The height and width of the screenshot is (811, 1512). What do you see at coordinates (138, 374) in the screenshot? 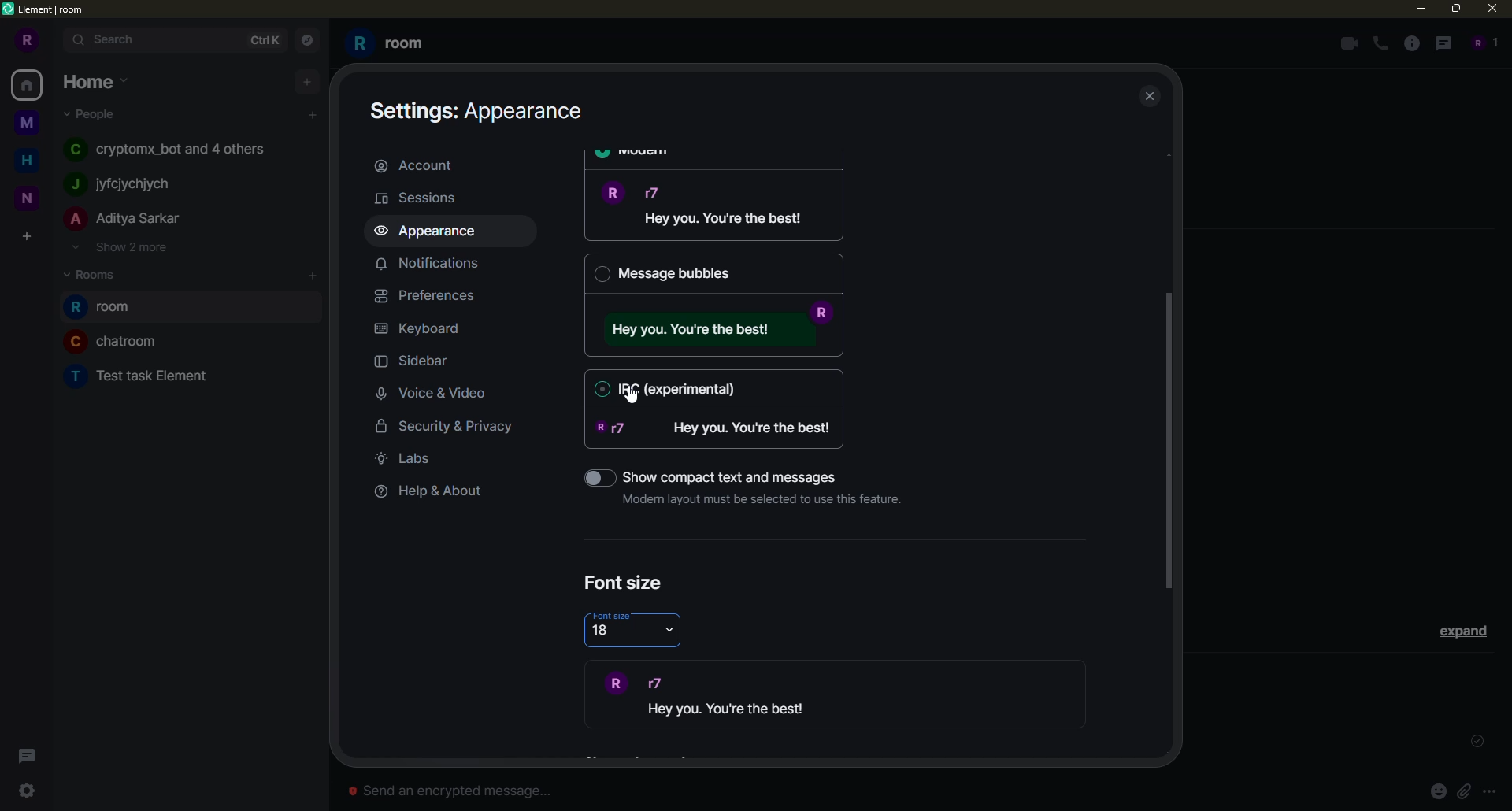
I see `room` at bounding box center [138, 374].